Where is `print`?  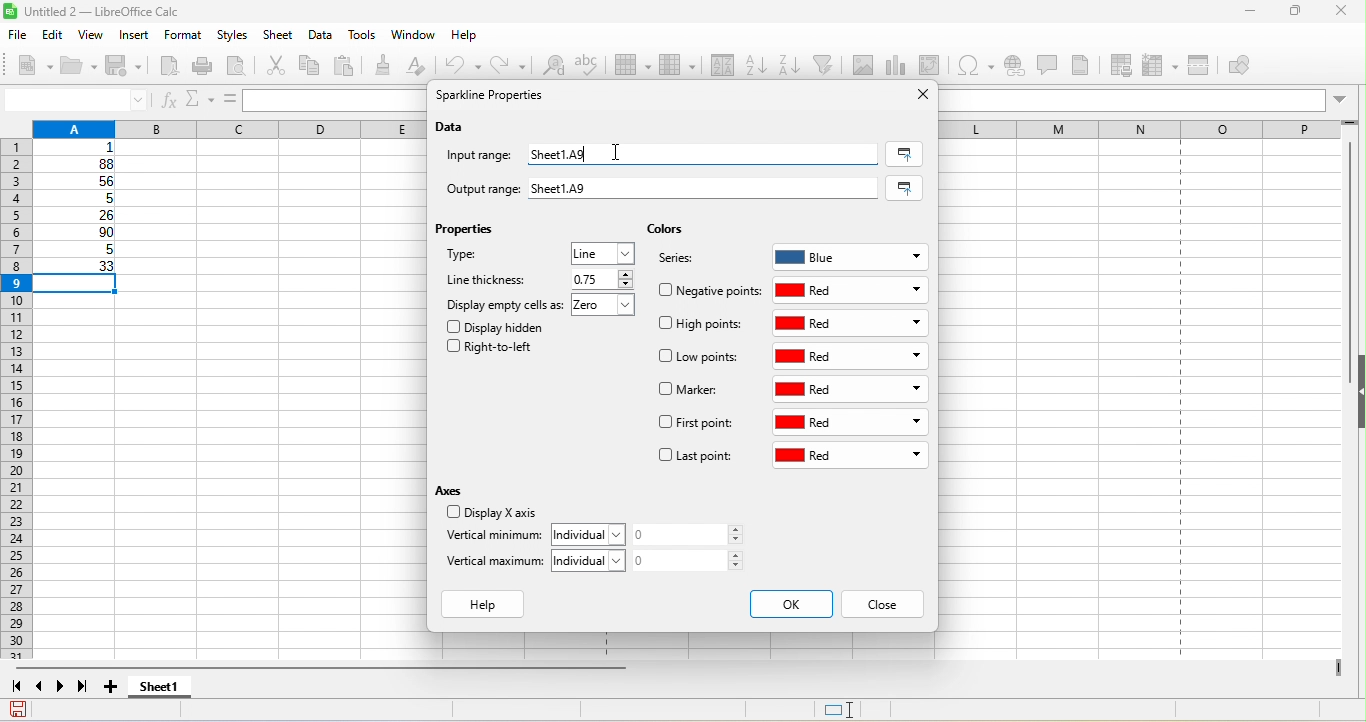 print is located at coordinates (207, 66).